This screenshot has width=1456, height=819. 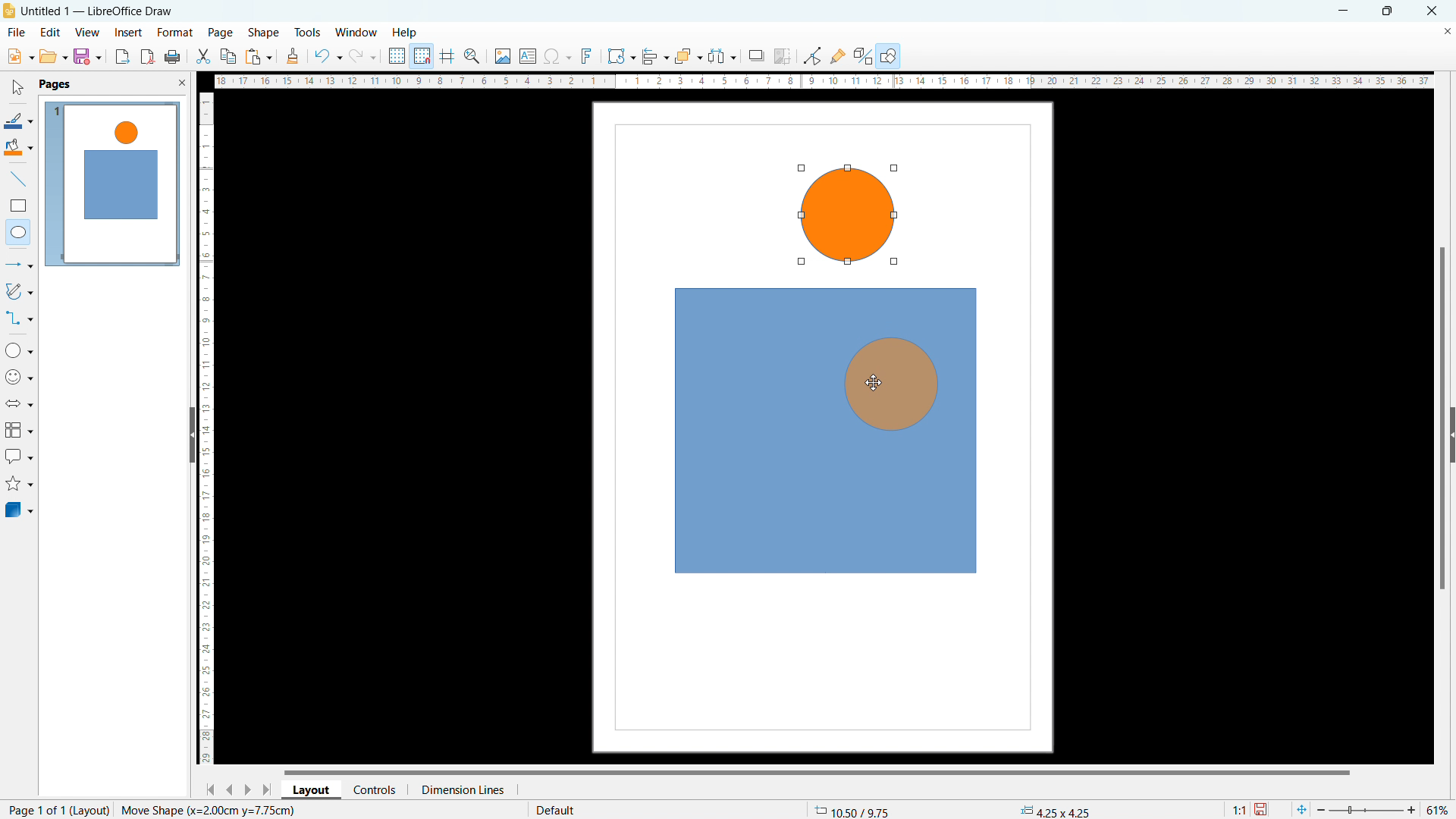 What do you see at coordinates (129, 33) in the screenshot?
I see `insert` at bounding box center [129, 33].